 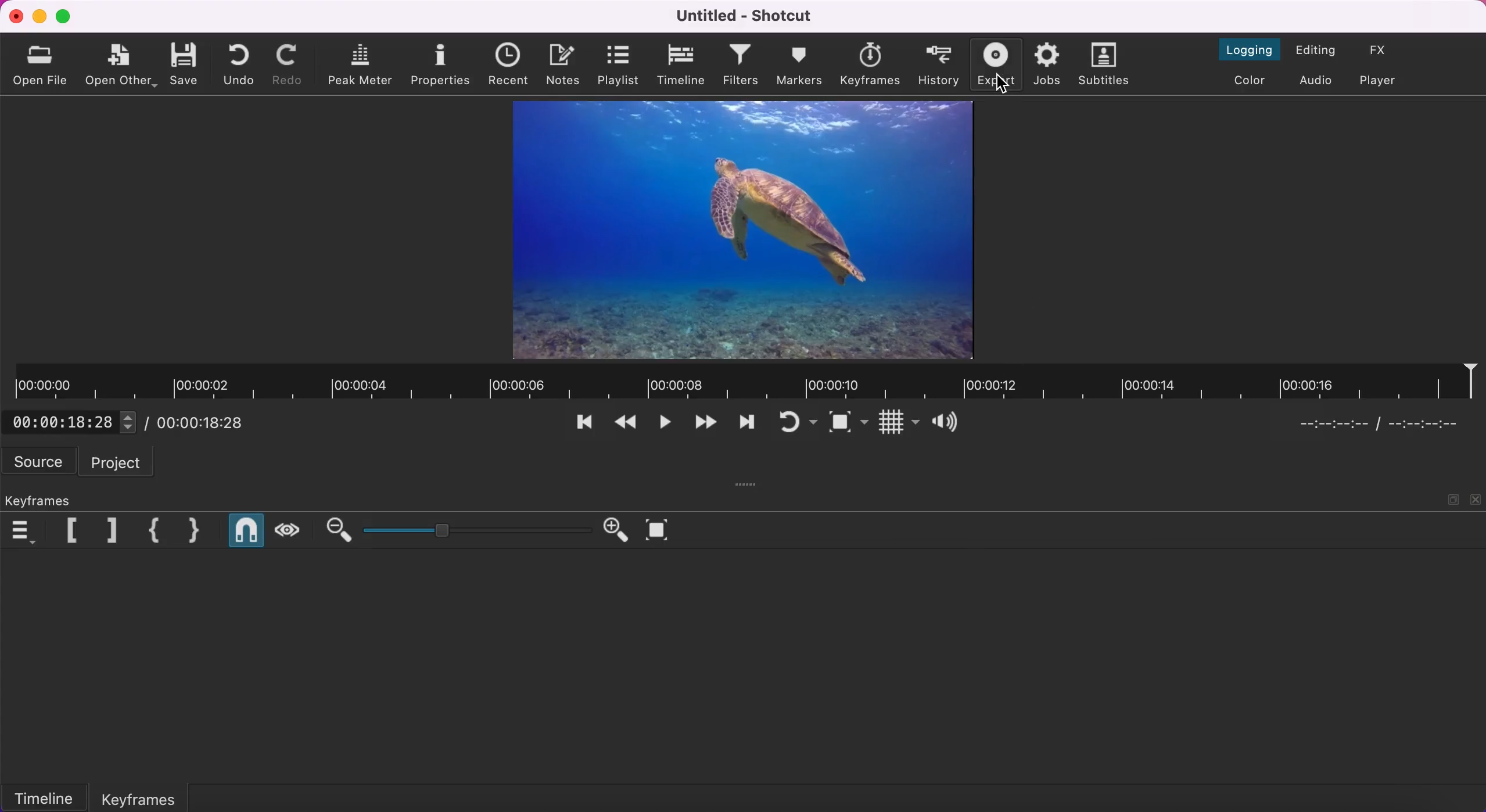 What do you see at coordinates (849, 423) in the screenshot?
I see `toggle zoom` at bounding box center [849, 423].